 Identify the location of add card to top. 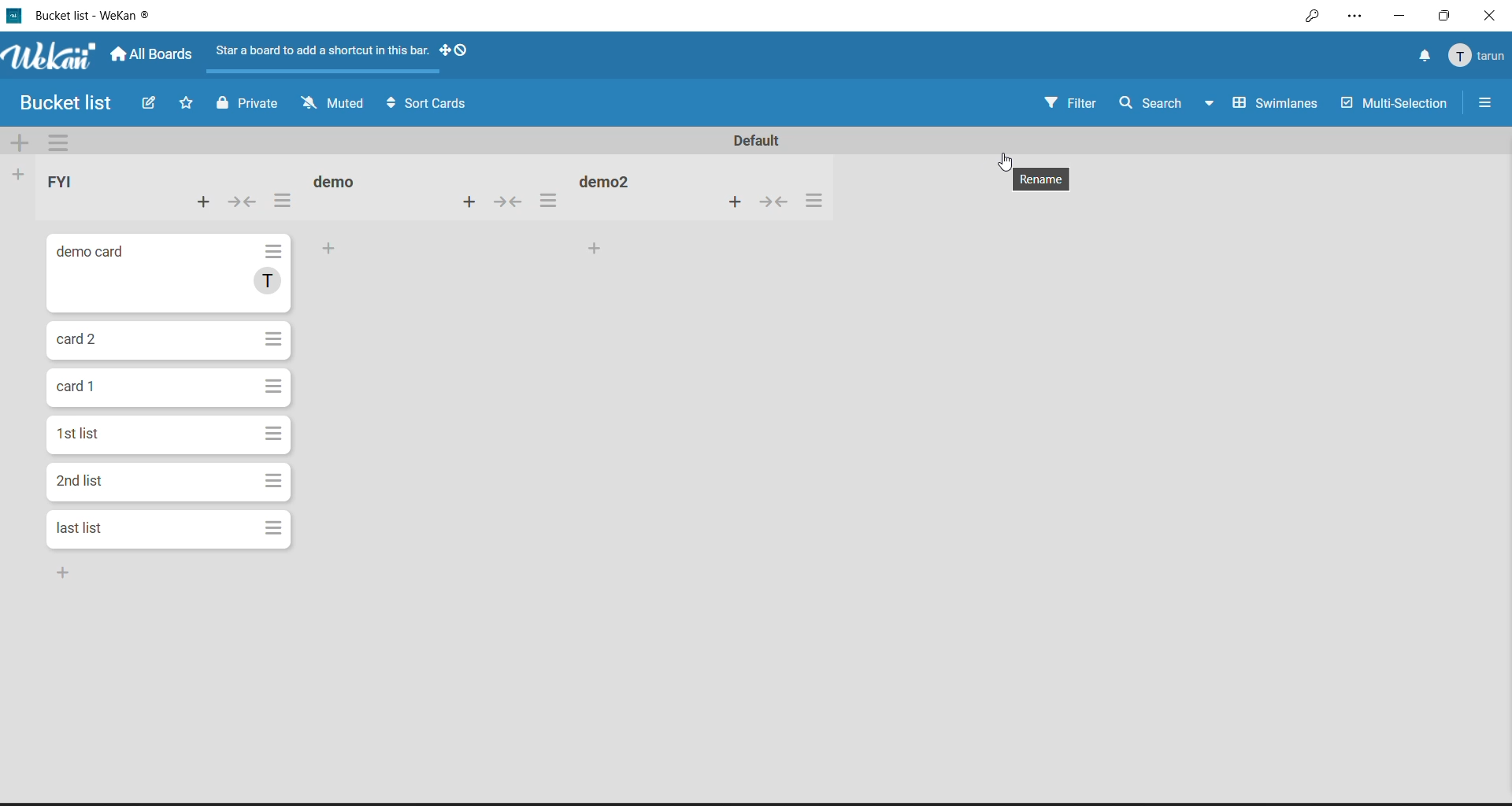
(736, 201).